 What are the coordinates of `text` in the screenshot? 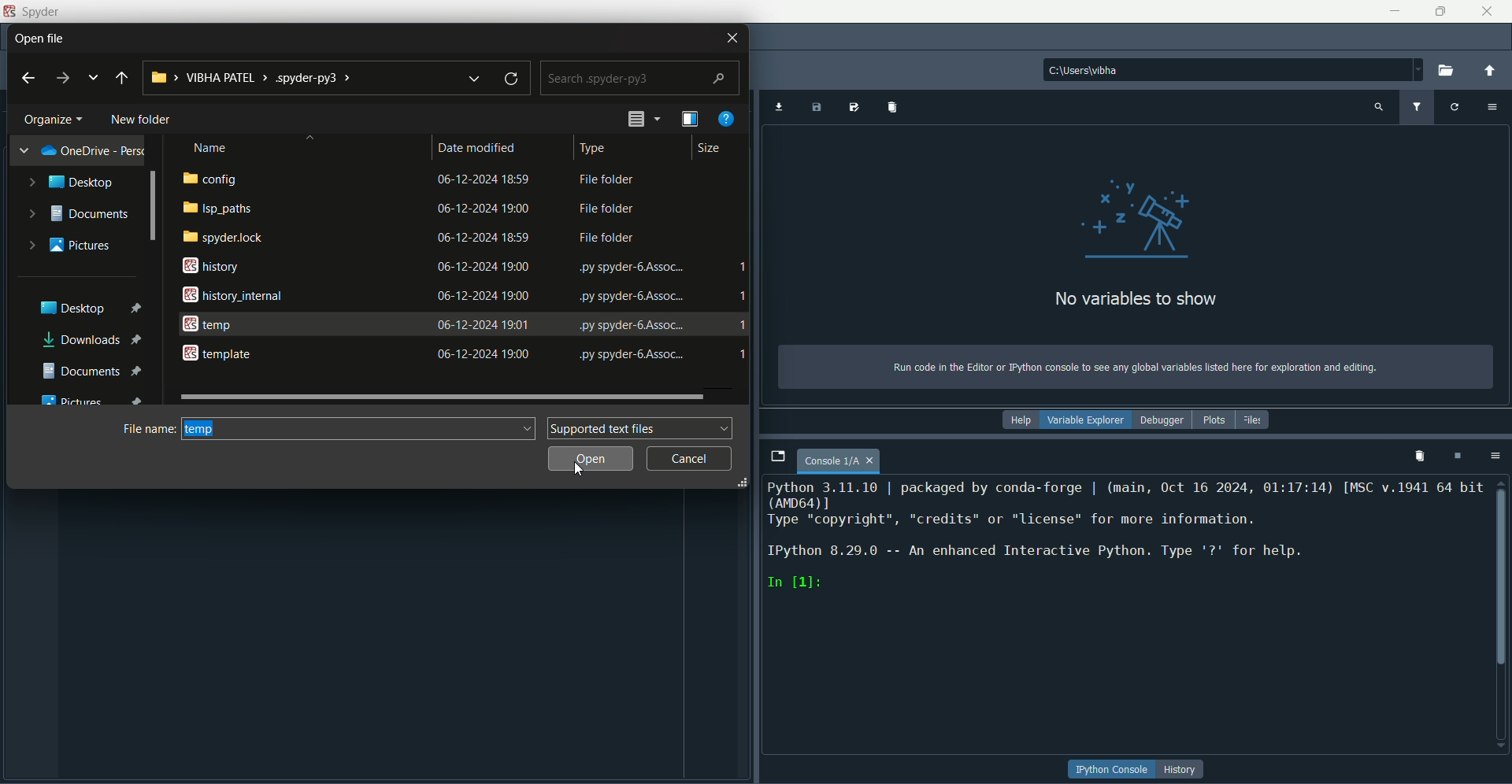 It's located at (631, 268).